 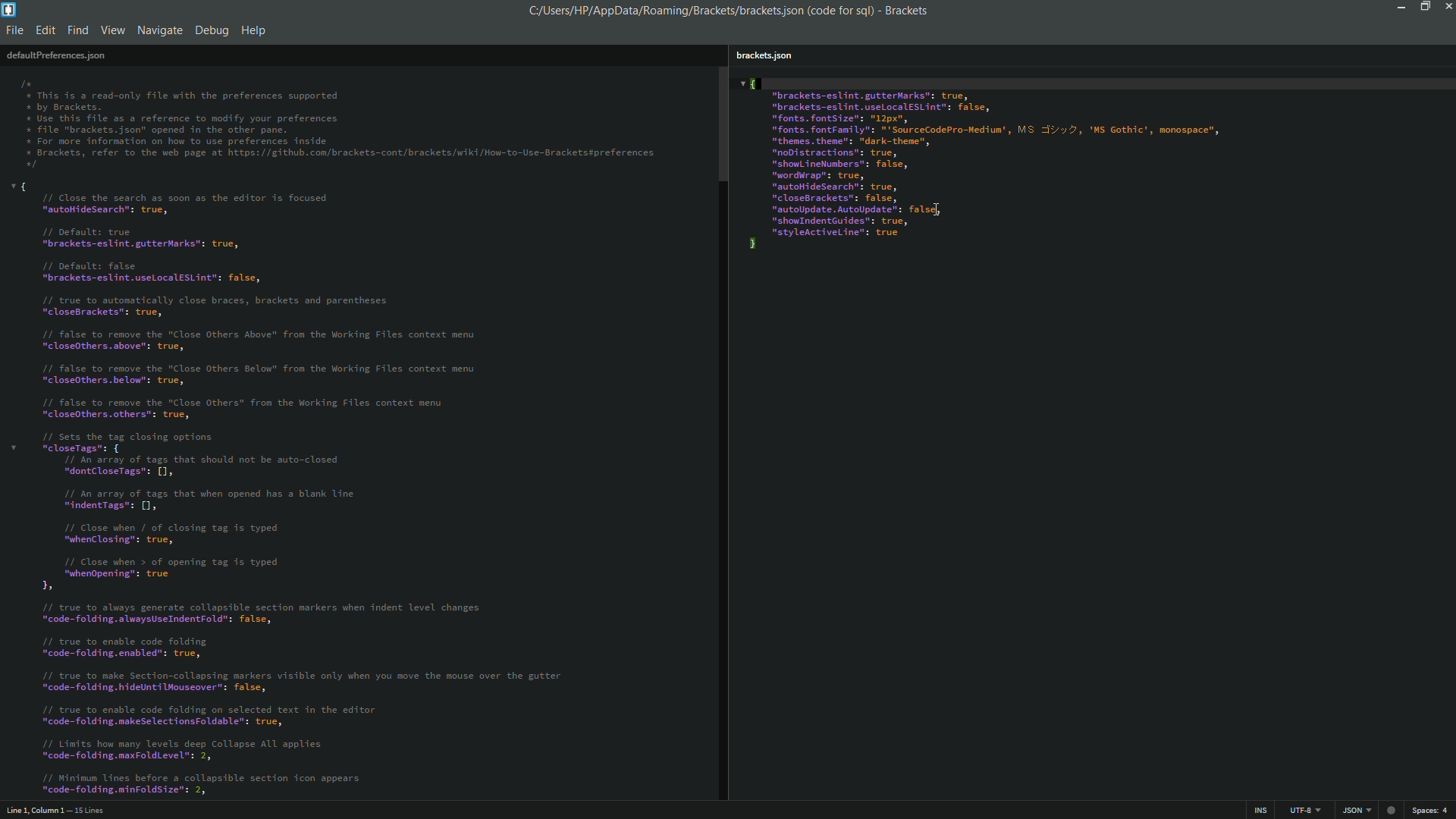 What do you see at coordinates (255, 30) in the screenshot?
I see `help menu` at bounding box center [255, 30].